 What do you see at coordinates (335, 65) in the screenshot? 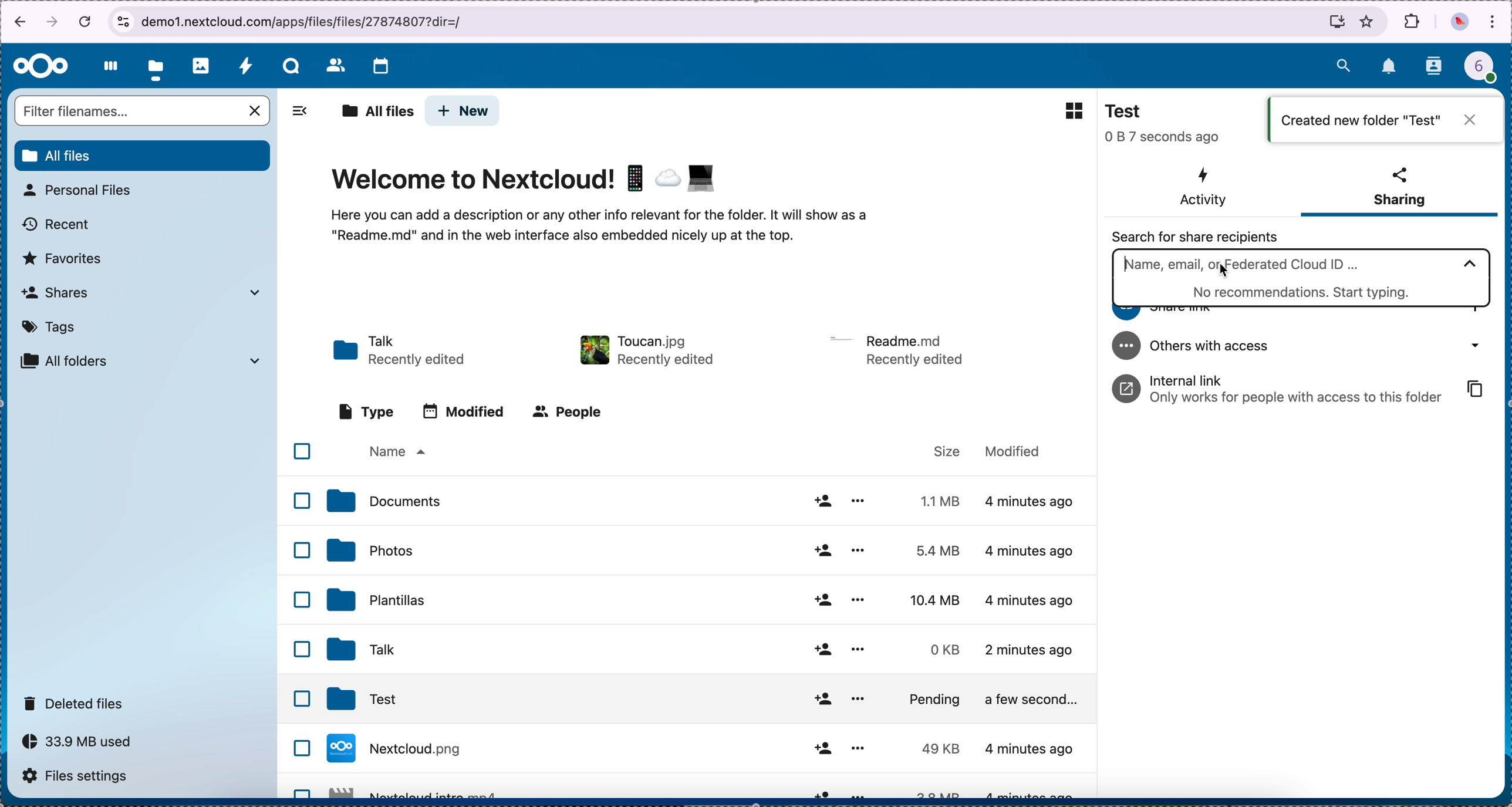
I see `contacts` at bounding box center [335, 65].